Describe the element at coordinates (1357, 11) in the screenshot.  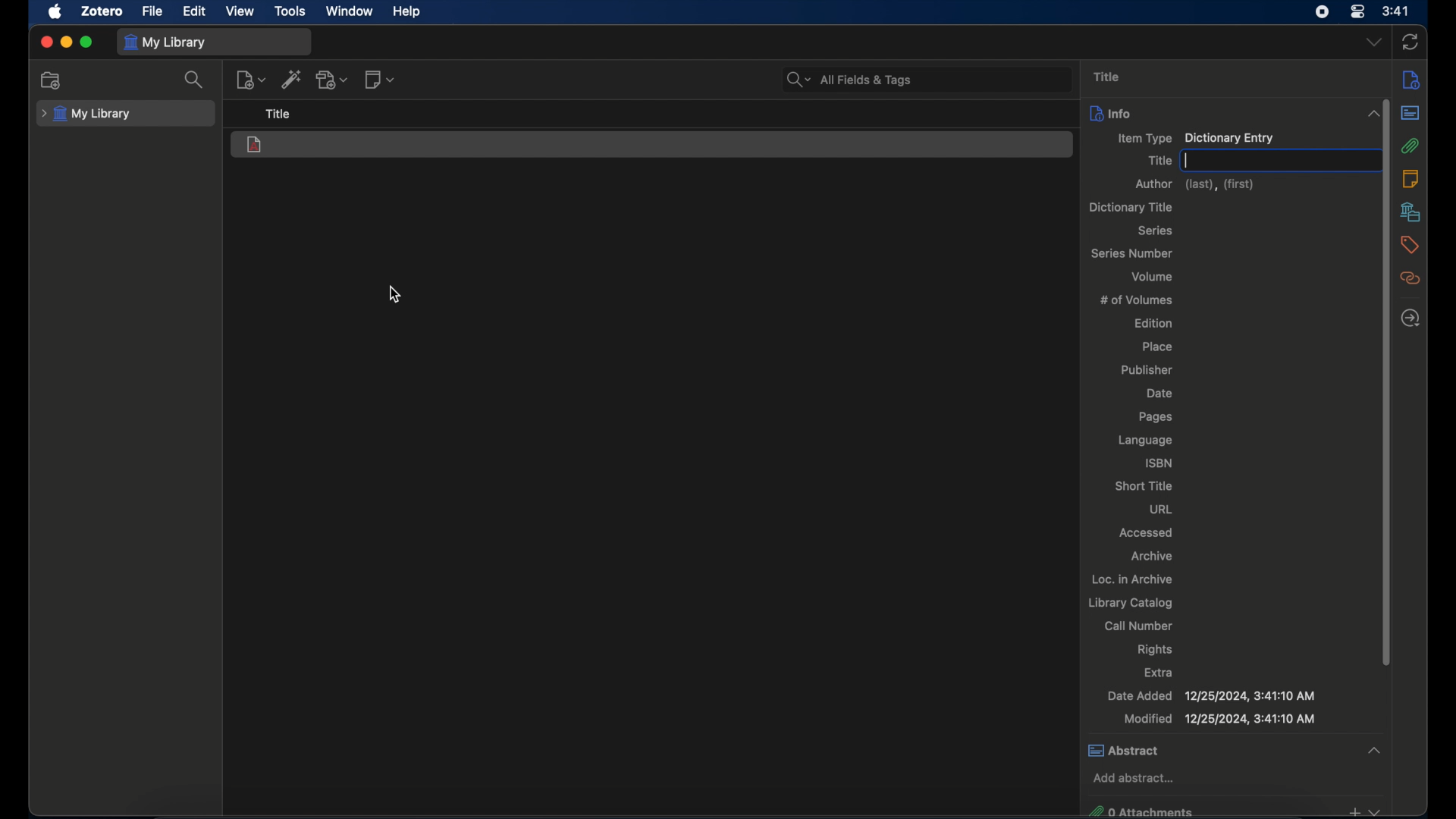
I see `control center` at that location.